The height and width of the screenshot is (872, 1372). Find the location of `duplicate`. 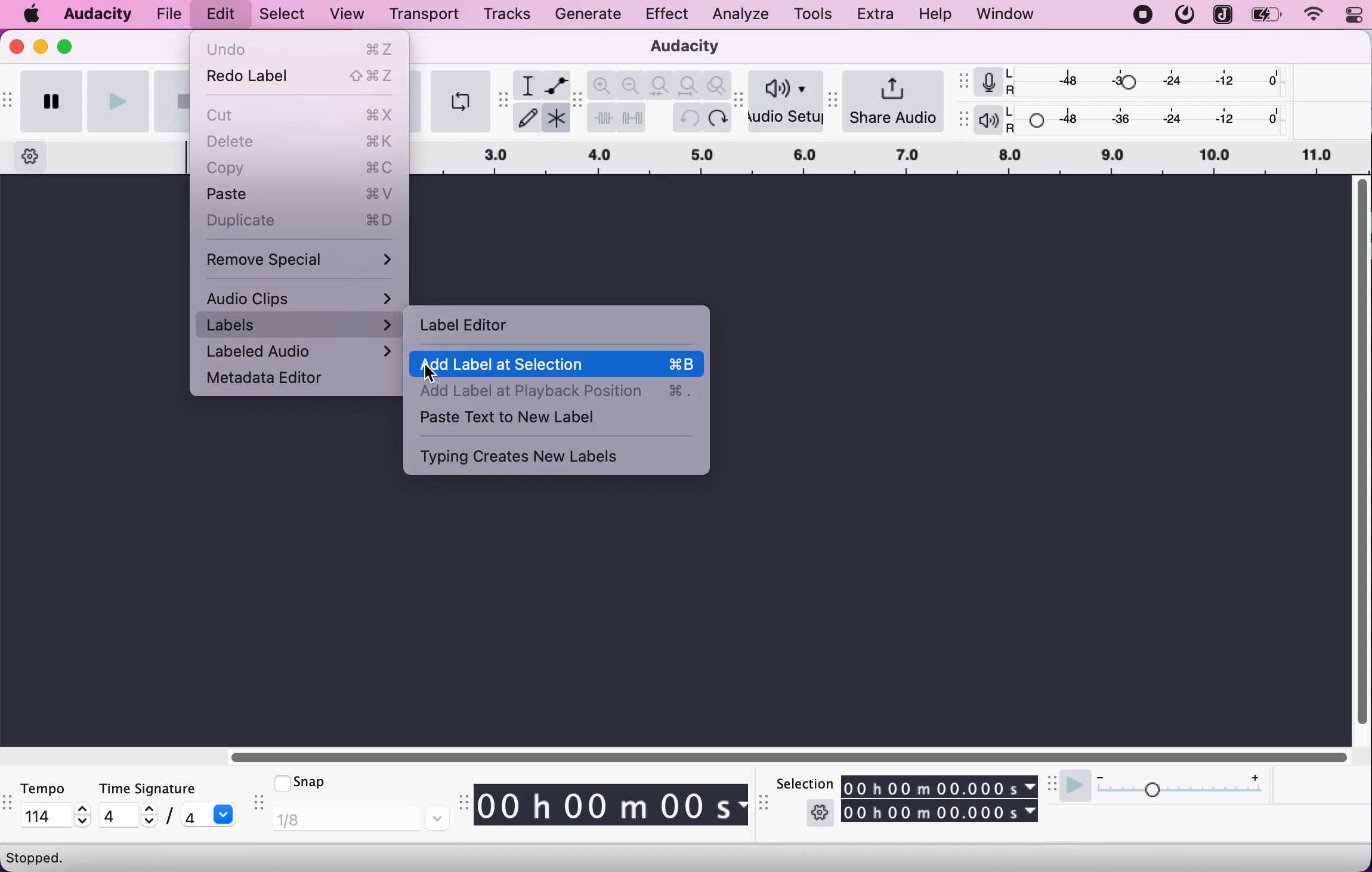

duplicate is located at coordinates (301, 221).